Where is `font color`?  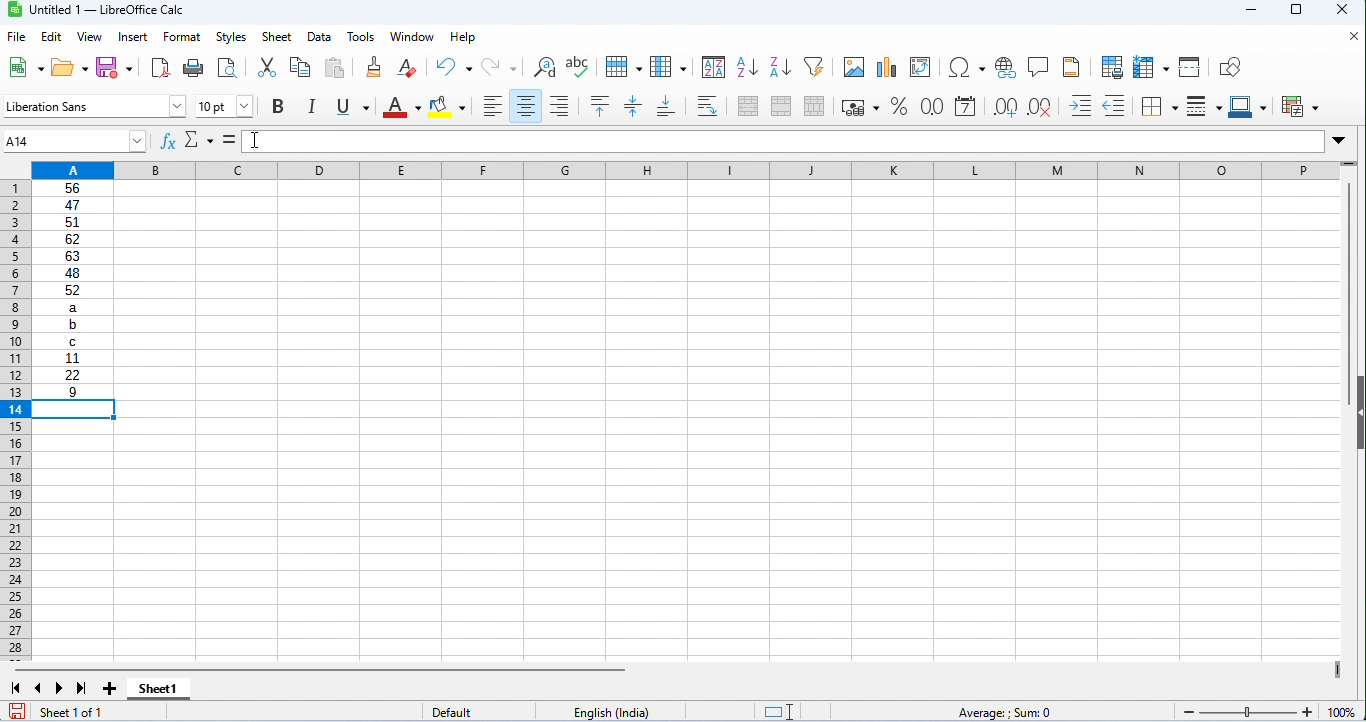 font color is located at coordinates (402, 107).